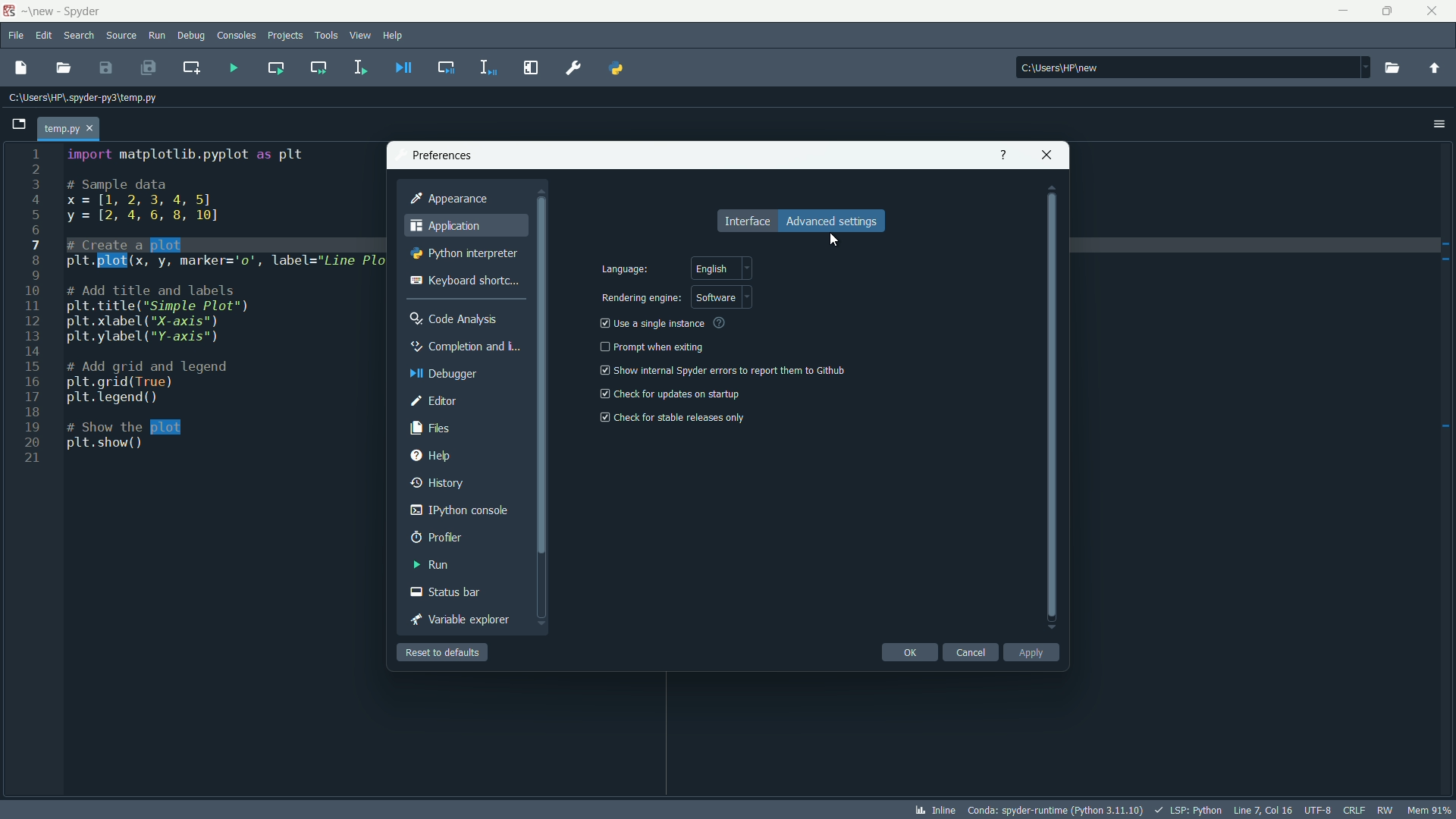 The height and width of the screenshot is (819, 1456). What do you see at coordinates (730, 370) in the screenshot?
I see `show internal spyder errors to report them to github` at bounding box center [730, 370].